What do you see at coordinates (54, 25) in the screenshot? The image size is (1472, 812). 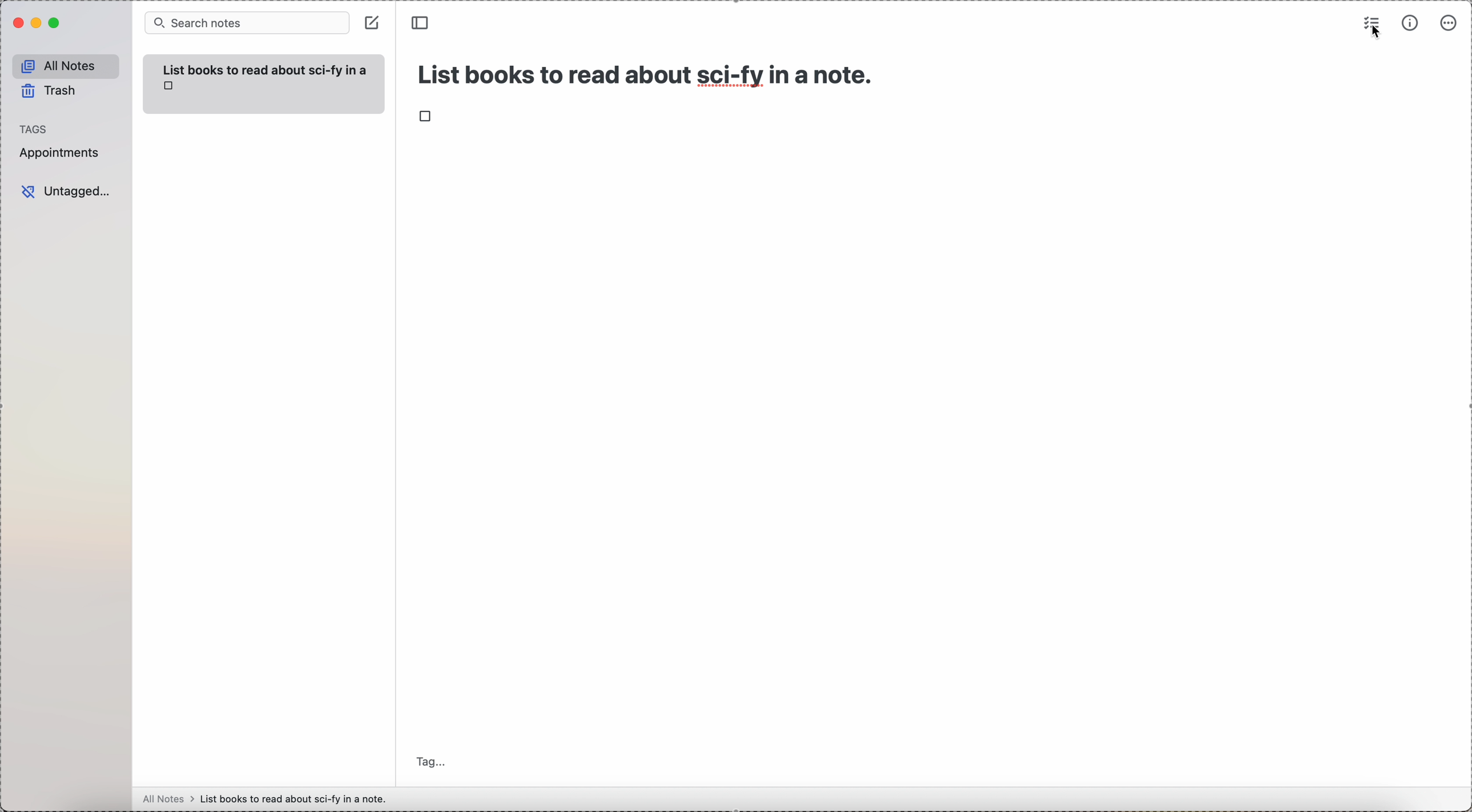 I see `maximize` at bounding box center [54, 25].